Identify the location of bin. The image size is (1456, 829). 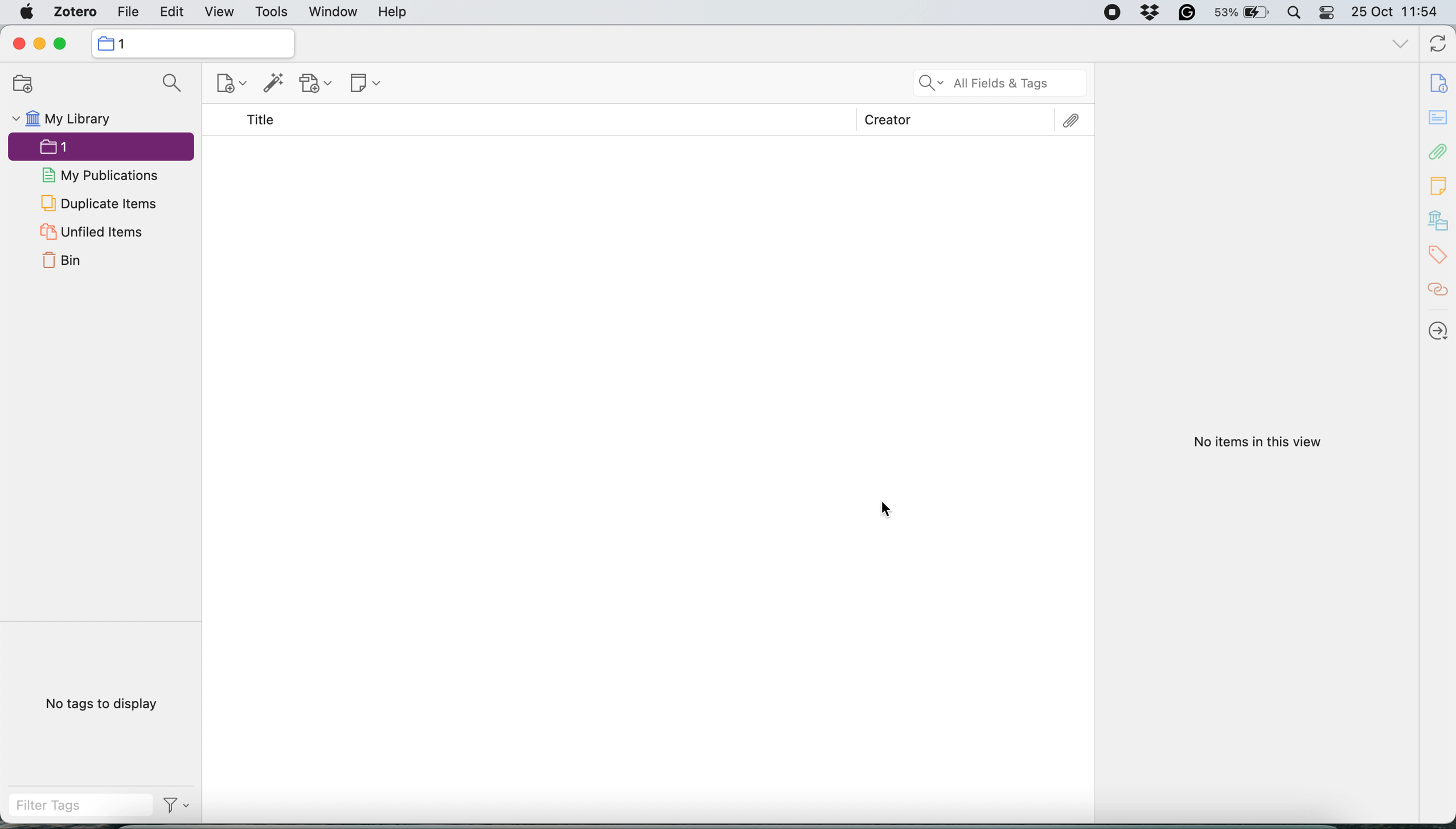
(67, 260).